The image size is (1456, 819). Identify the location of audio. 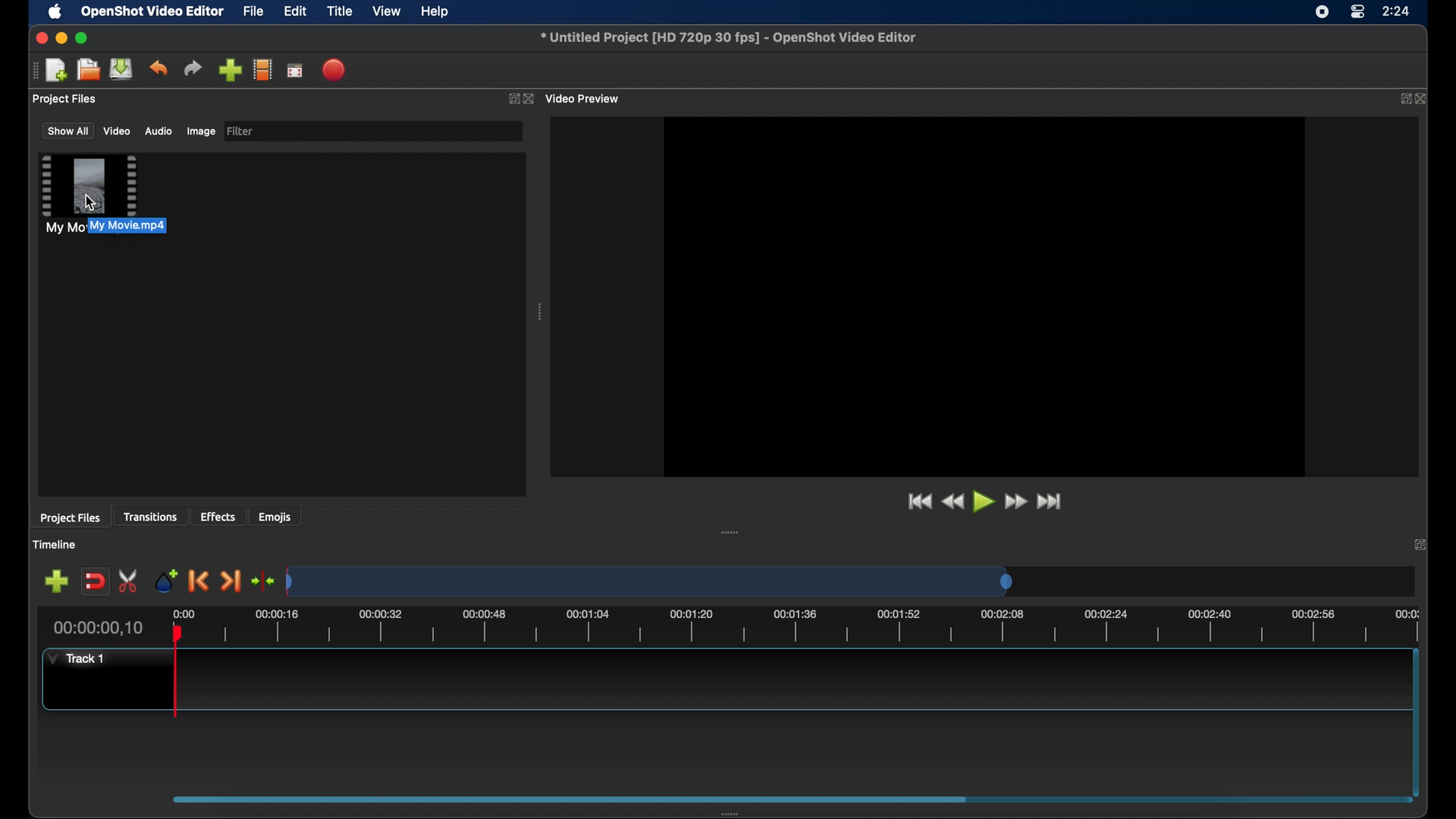
(159, 131).